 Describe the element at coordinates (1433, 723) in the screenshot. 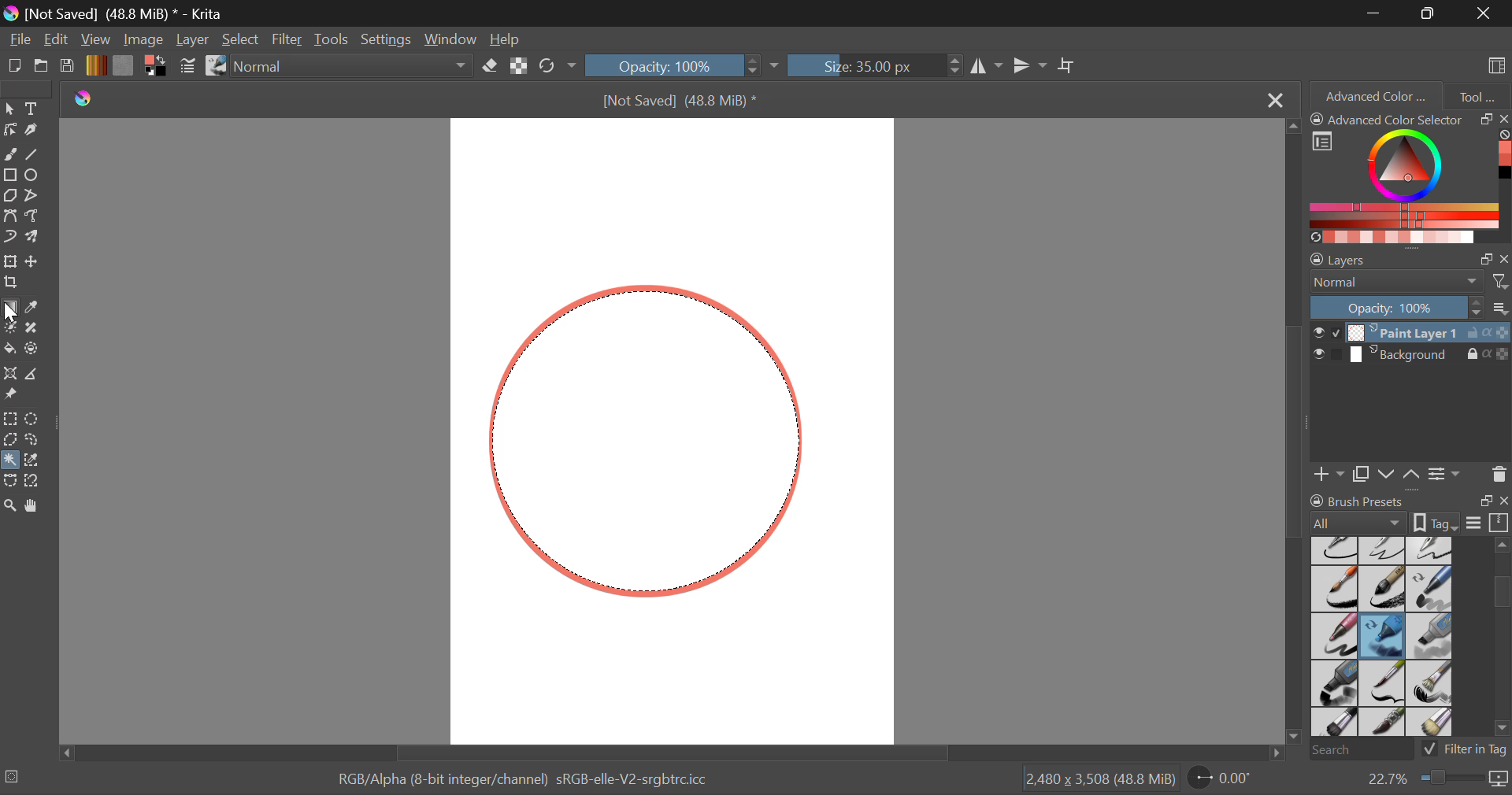

I see `Birstles-5 Plain` at that location.